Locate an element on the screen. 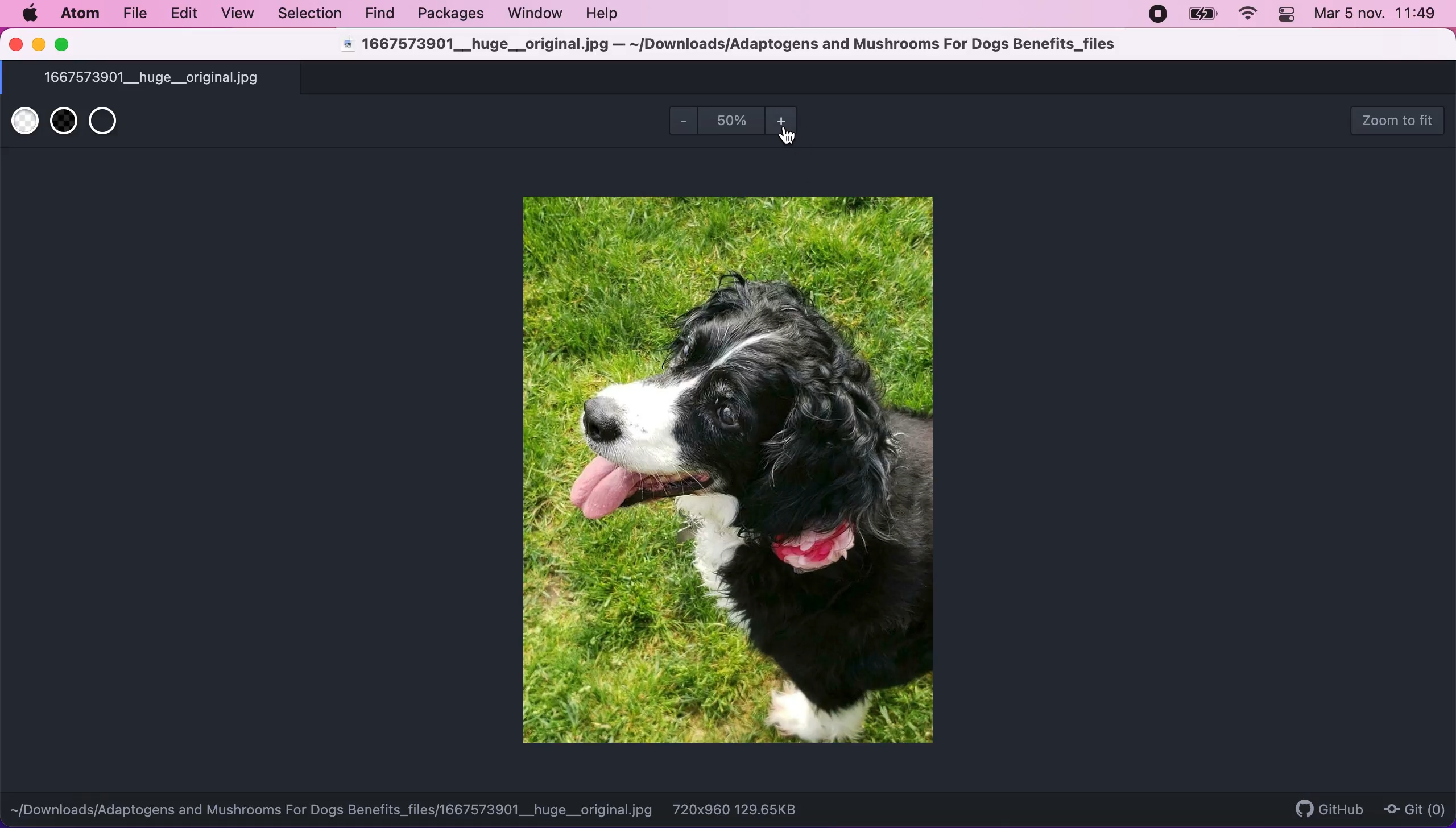  github git (0) is located at coordinates (1362, 808).